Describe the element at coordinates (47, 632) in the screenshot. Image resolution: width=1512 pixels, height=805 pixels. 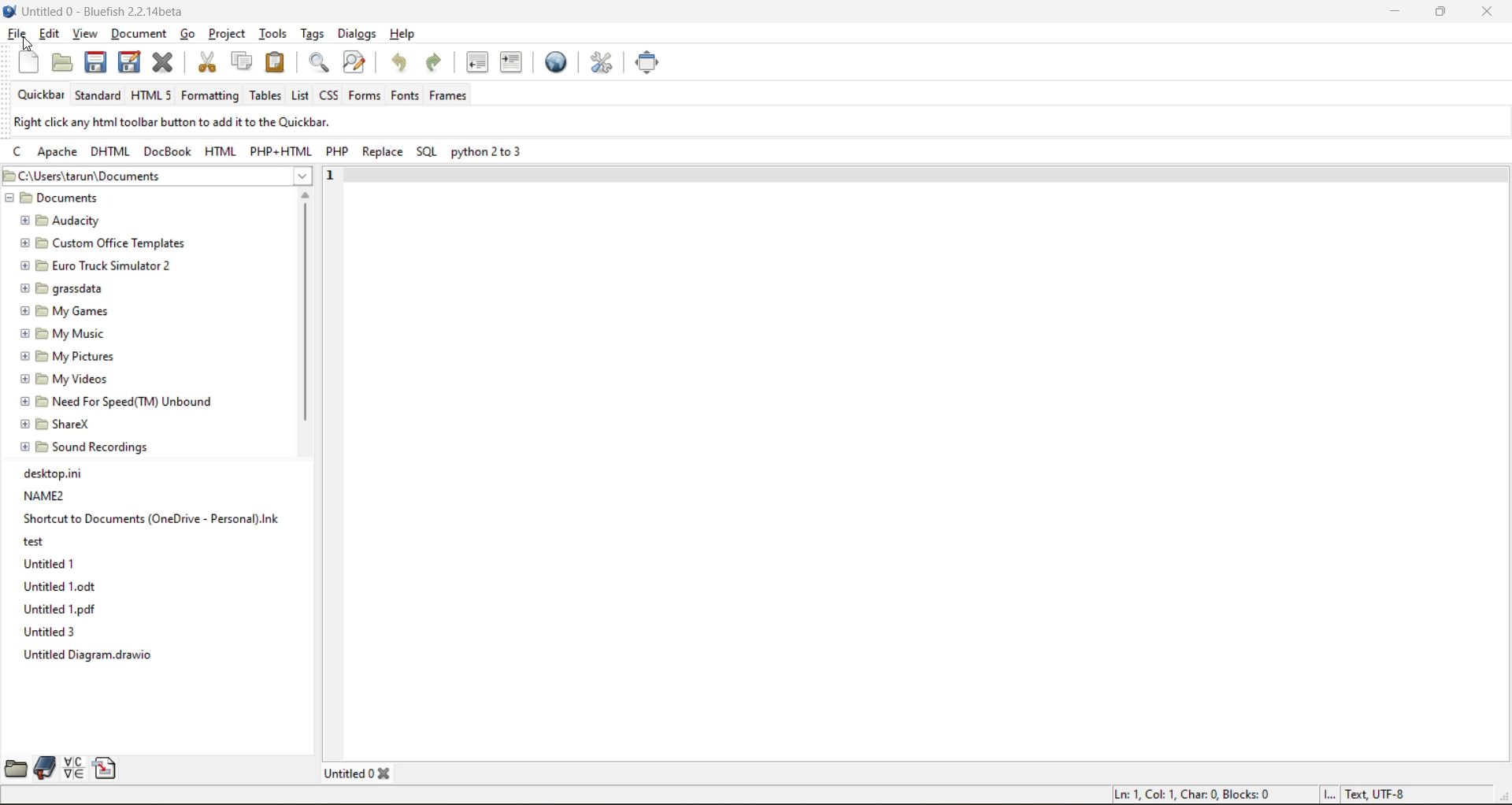
I see `Untitled 3` at that location.